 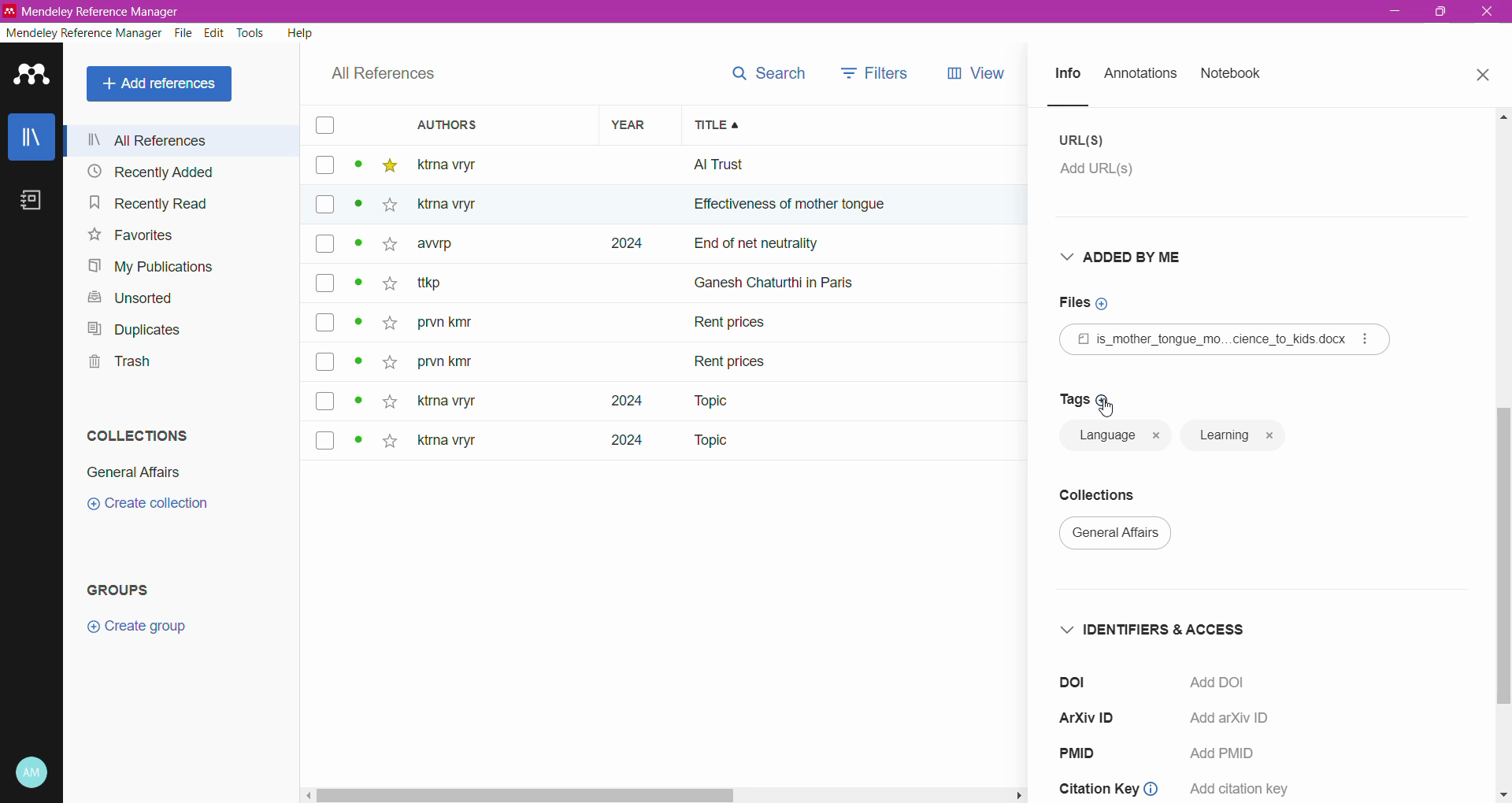 What do you see at coordinates (1228, 753) in the screenshot?
I see `Add PMID` at bounding box center [1228, 753].